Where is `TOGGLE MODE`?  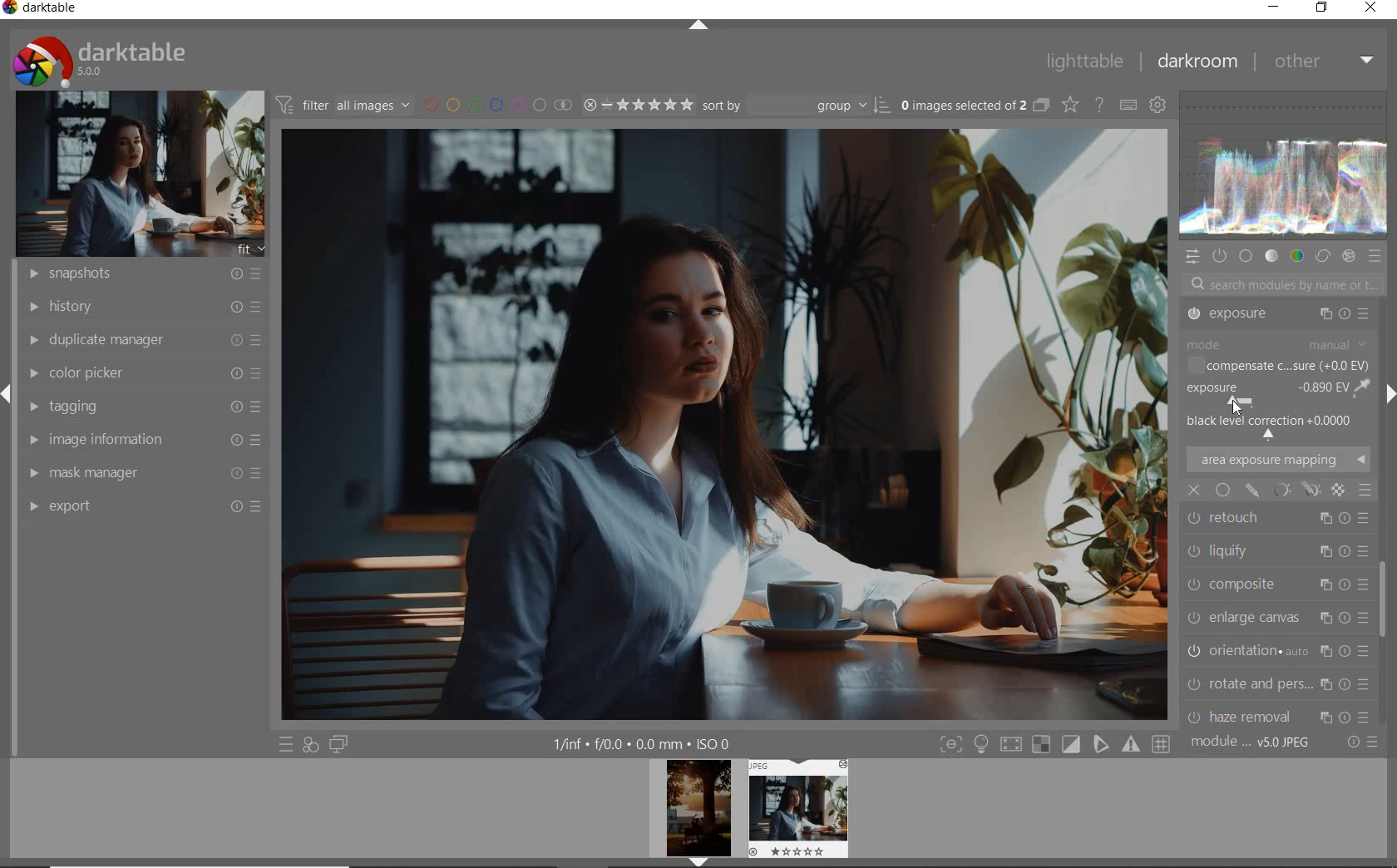
TOGGLE MODE is located at coordinates (1054, 744).